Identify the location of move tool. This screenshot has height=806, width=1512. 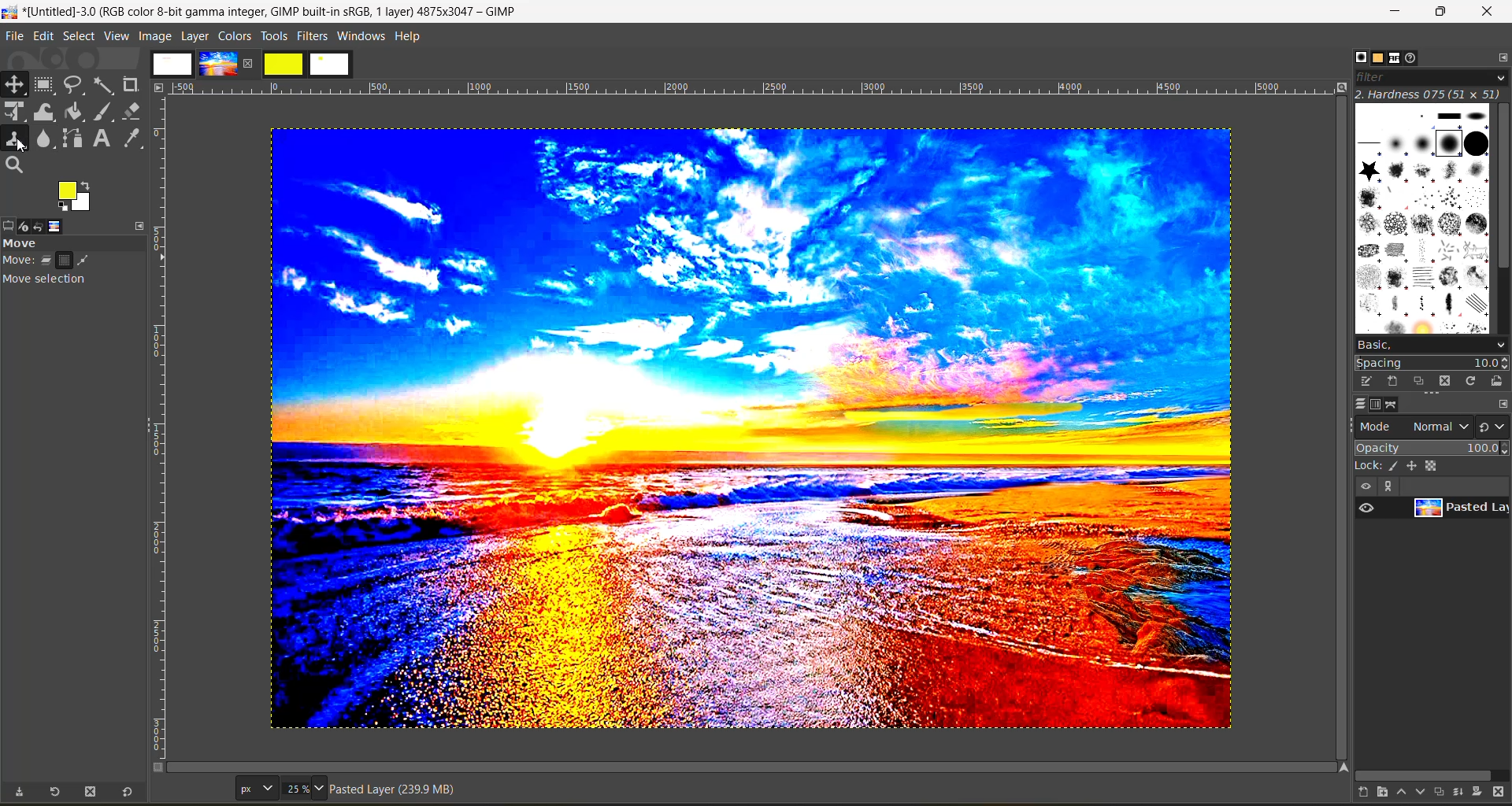
(15, 84).